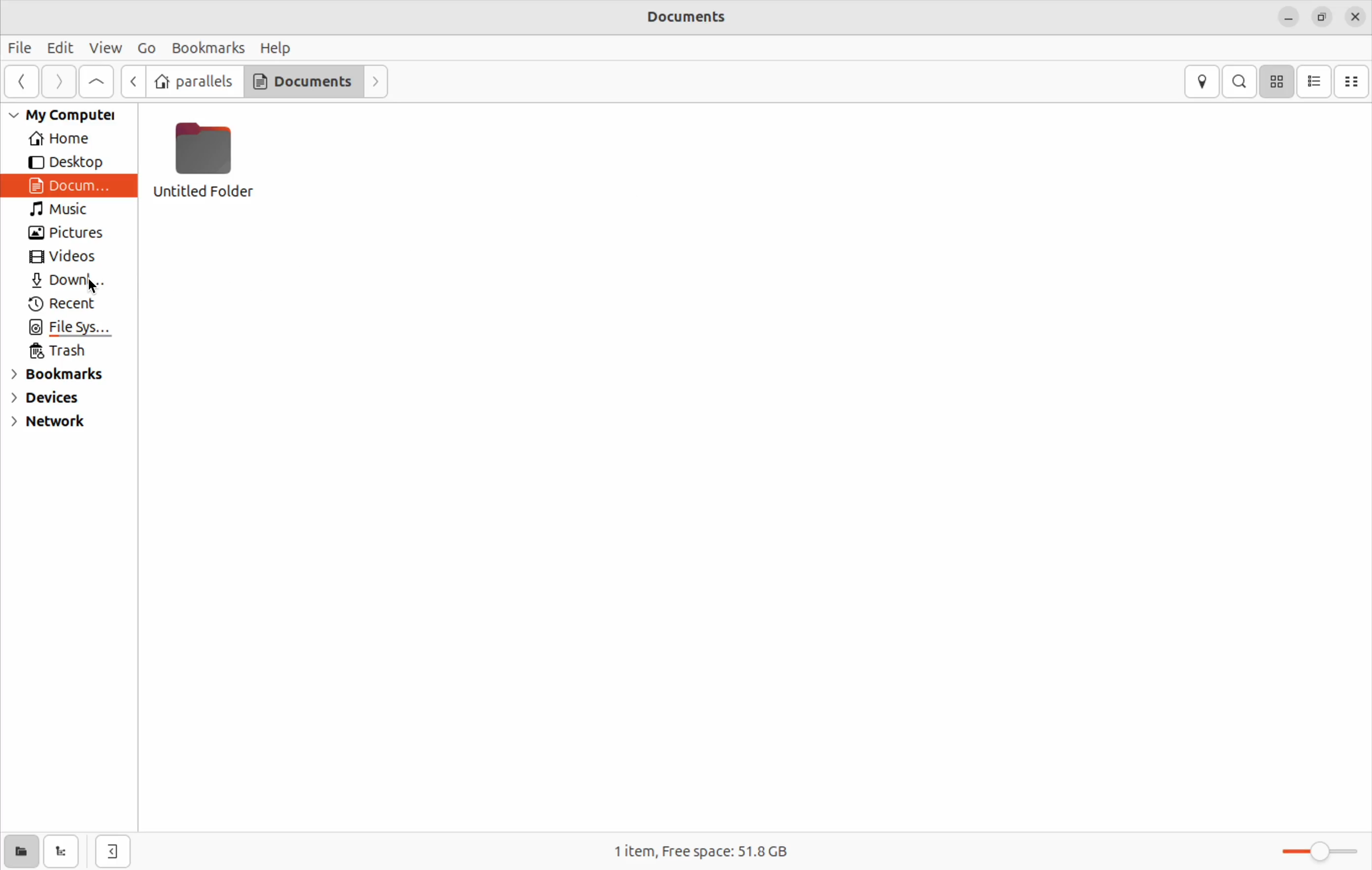 This screenshot has height=870, width=1372. Describe the element at coordinates (75, 235) in the screenshot. I see `pictures` at that location.